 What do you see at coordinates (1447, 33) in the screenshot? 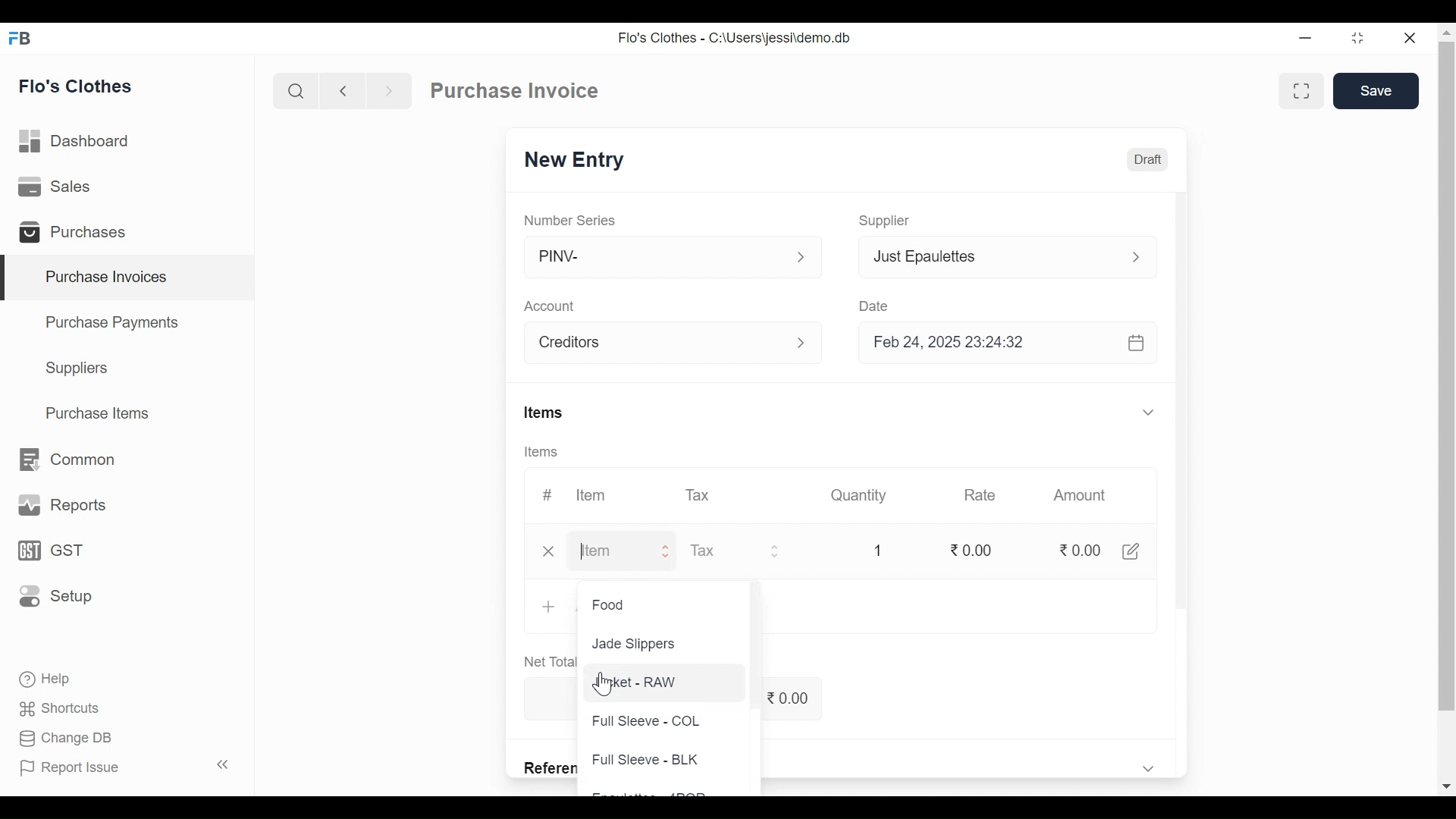
I see `Scroll up` at bounding box center [1447, 33].